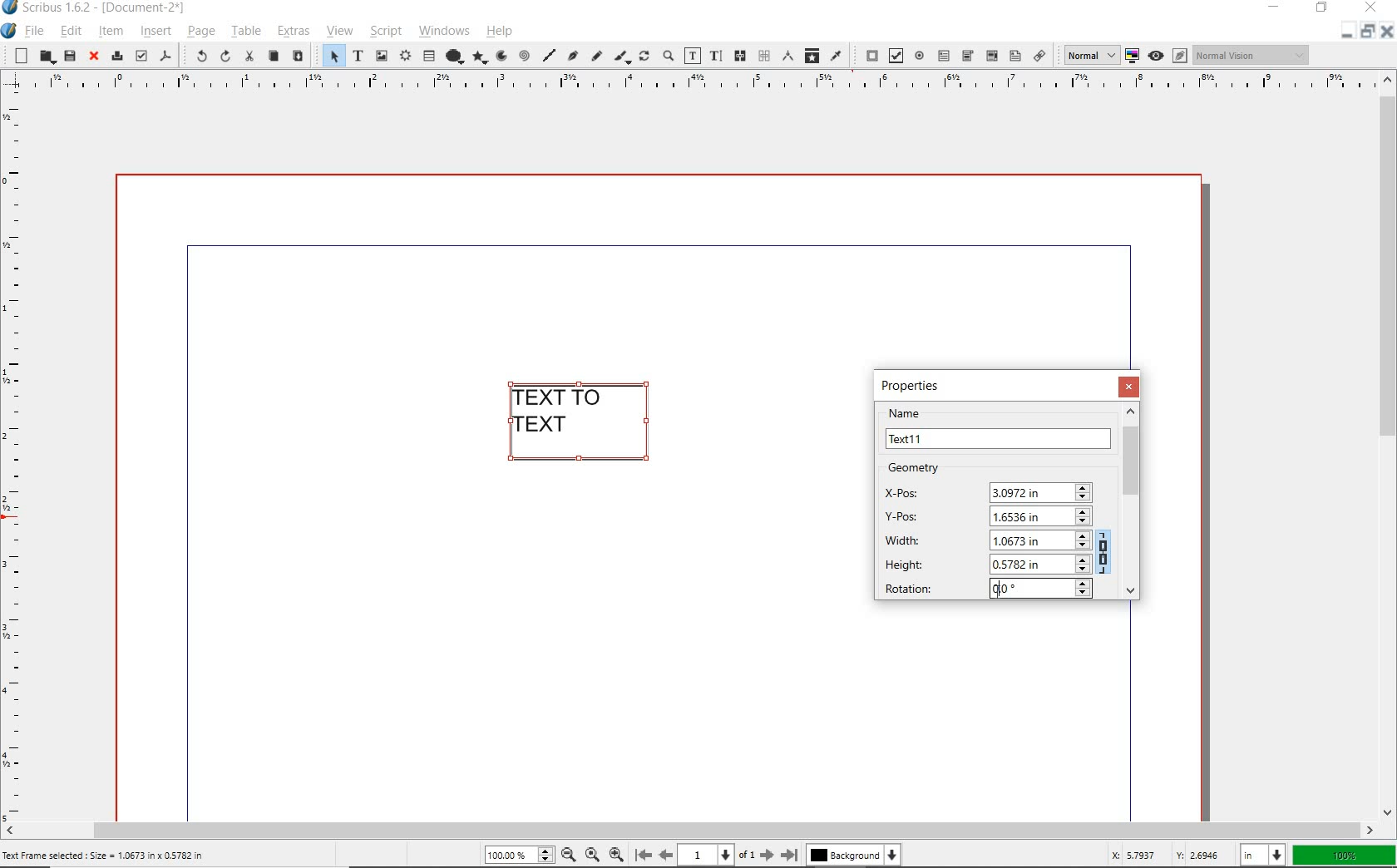 The height and width of the screenshot is (868, 1397). Describe the element at coordinates (1088, 54) in the screenshot. I see `select image preview quality` at that location.